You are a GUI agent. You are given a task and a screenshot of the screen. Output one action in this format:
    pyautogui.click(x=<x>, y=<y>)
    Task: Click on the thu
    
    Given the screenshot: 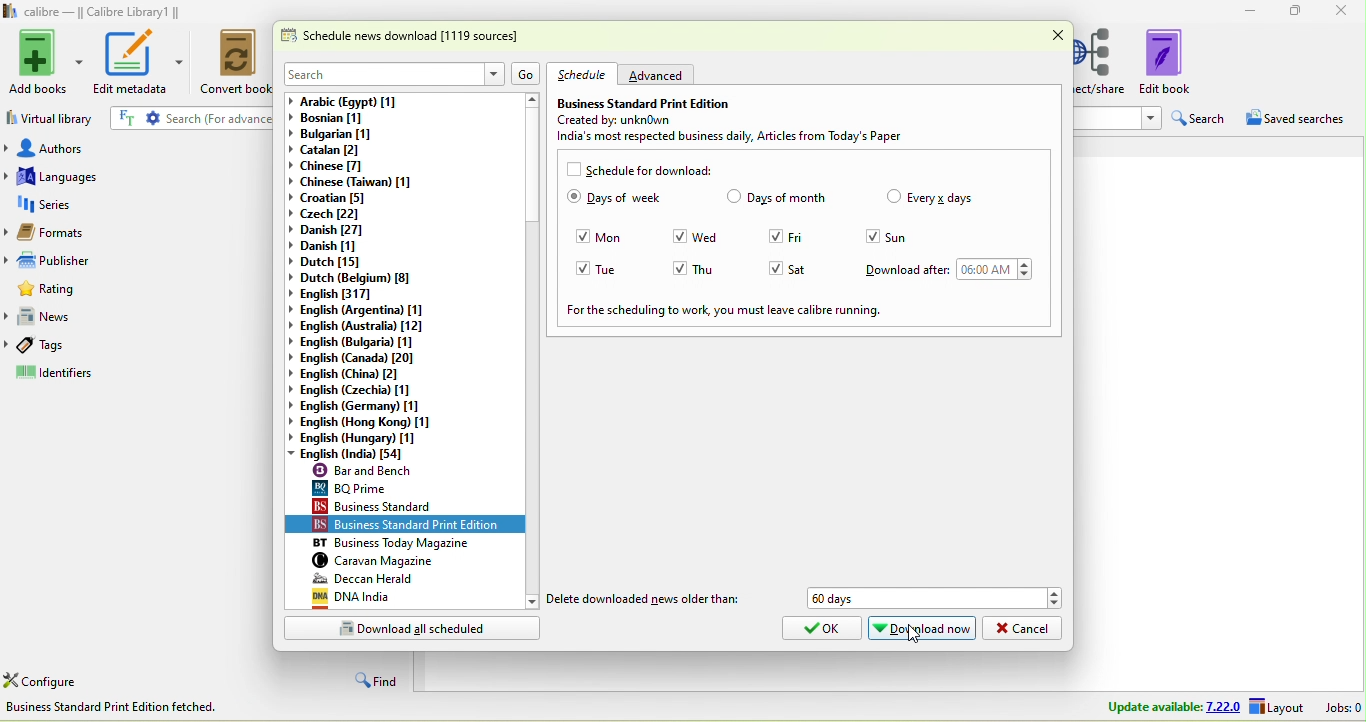 What is the action you would take?
    pyautogui.click(x=718, y=268)
    